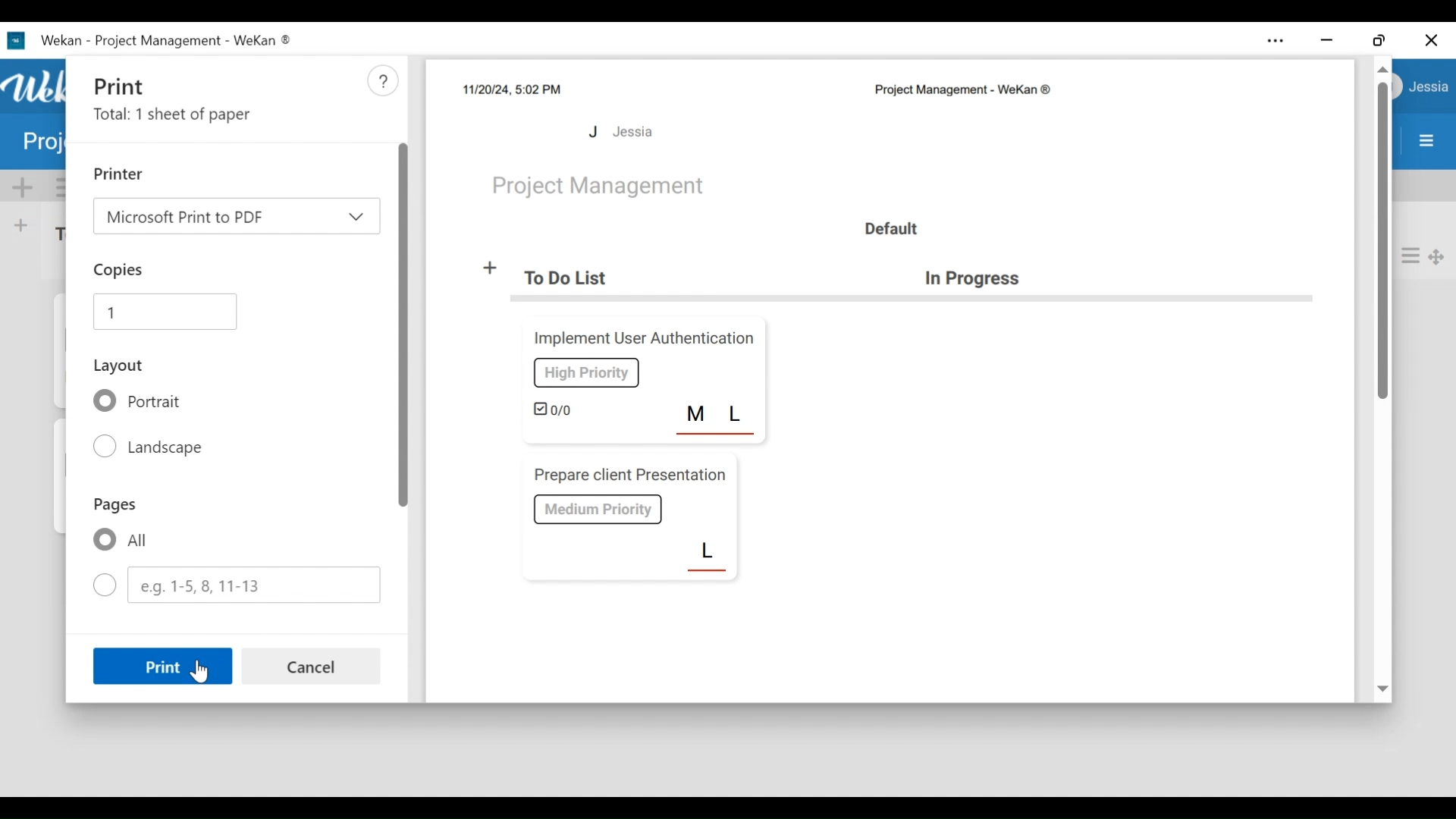  What do you see at coordinates (961, 91) in the screenshot?
I see `wekan board title` at bounding box center [961, 91].